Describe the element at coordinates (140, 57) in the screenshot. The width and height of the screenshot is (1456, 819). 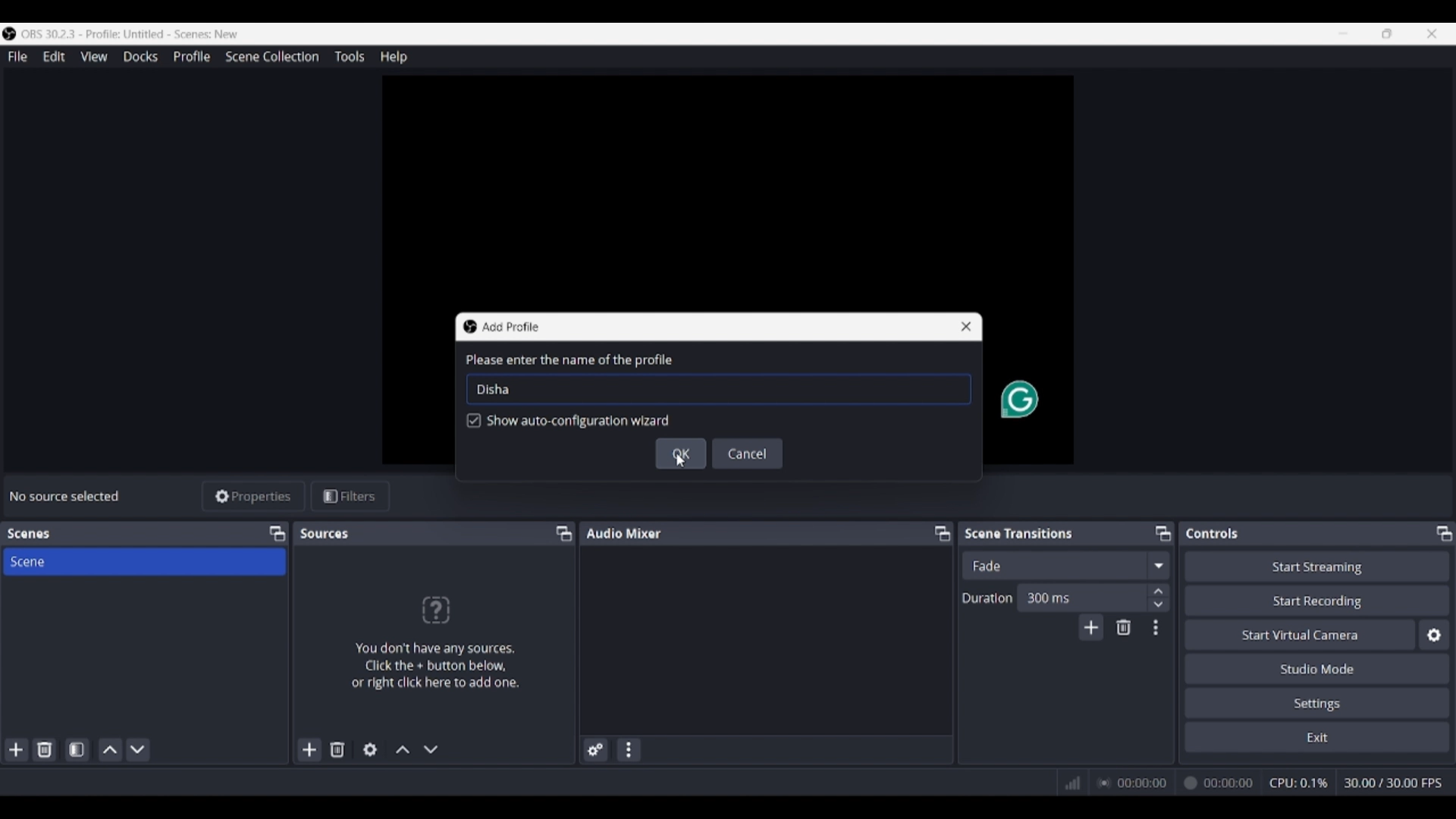
I see `Docks menu` at that location.